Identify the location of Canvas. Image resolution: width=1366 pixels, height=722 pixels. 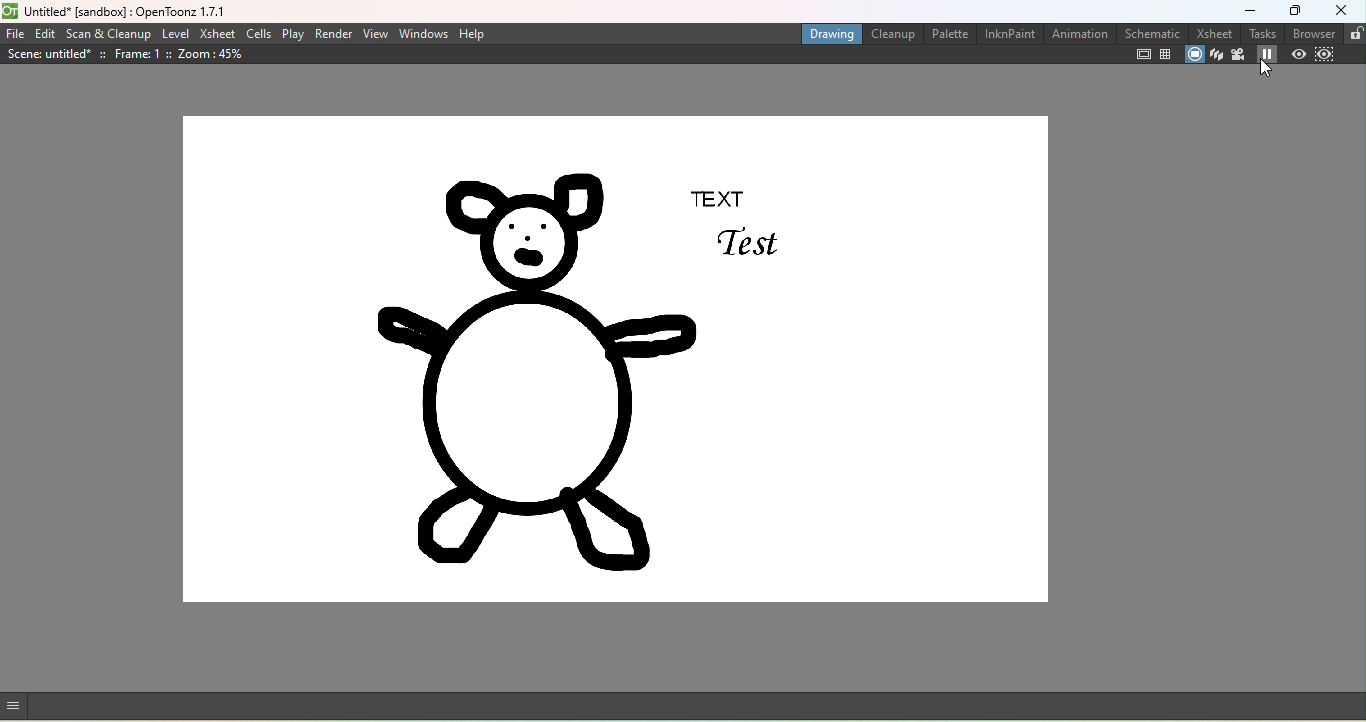
(617, 361).